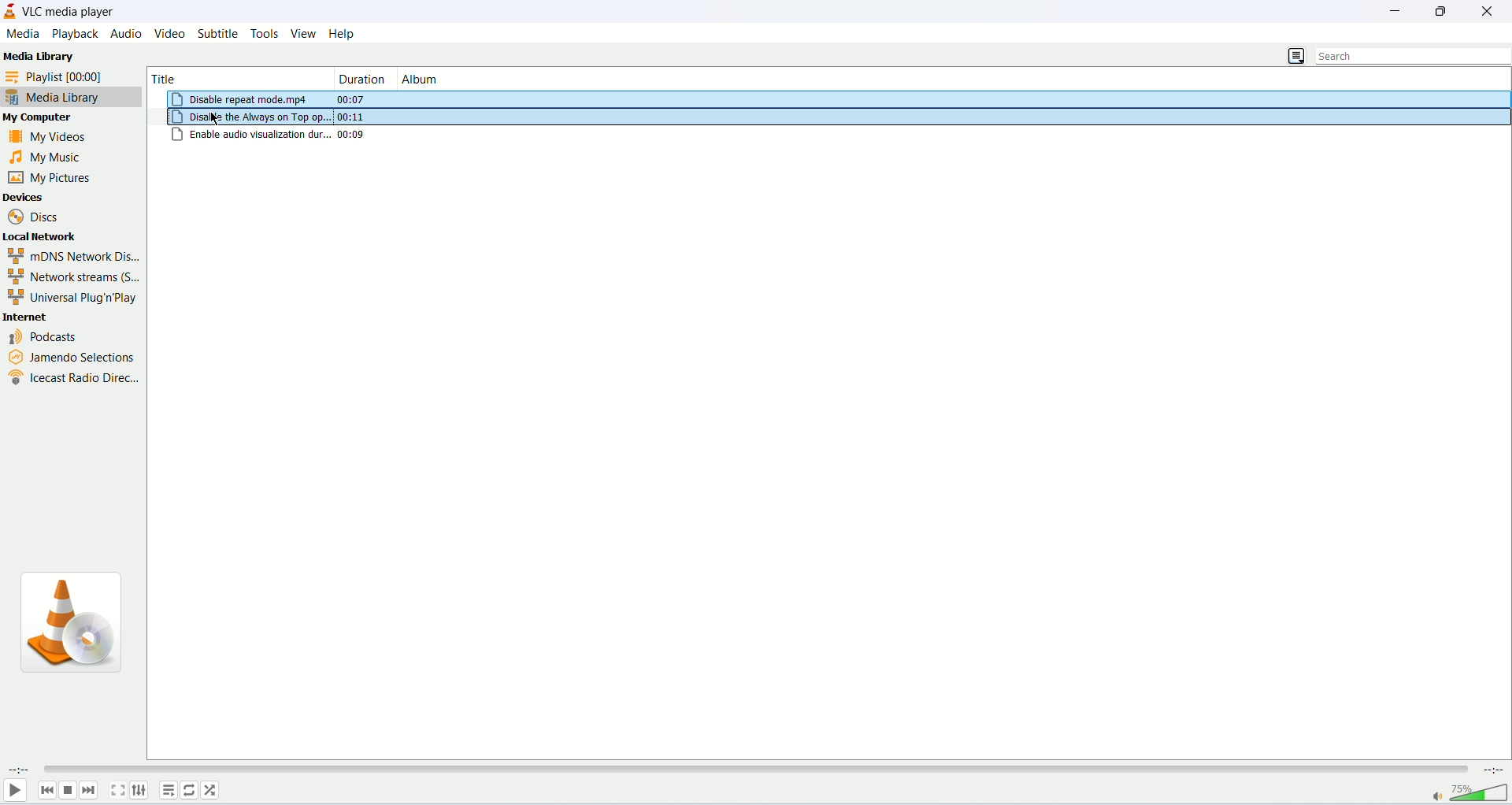 This screenshot has height=805, width=1512. Describe the element at coordinates (1402, 9) in the screenshot. I see `minimize` at that location.